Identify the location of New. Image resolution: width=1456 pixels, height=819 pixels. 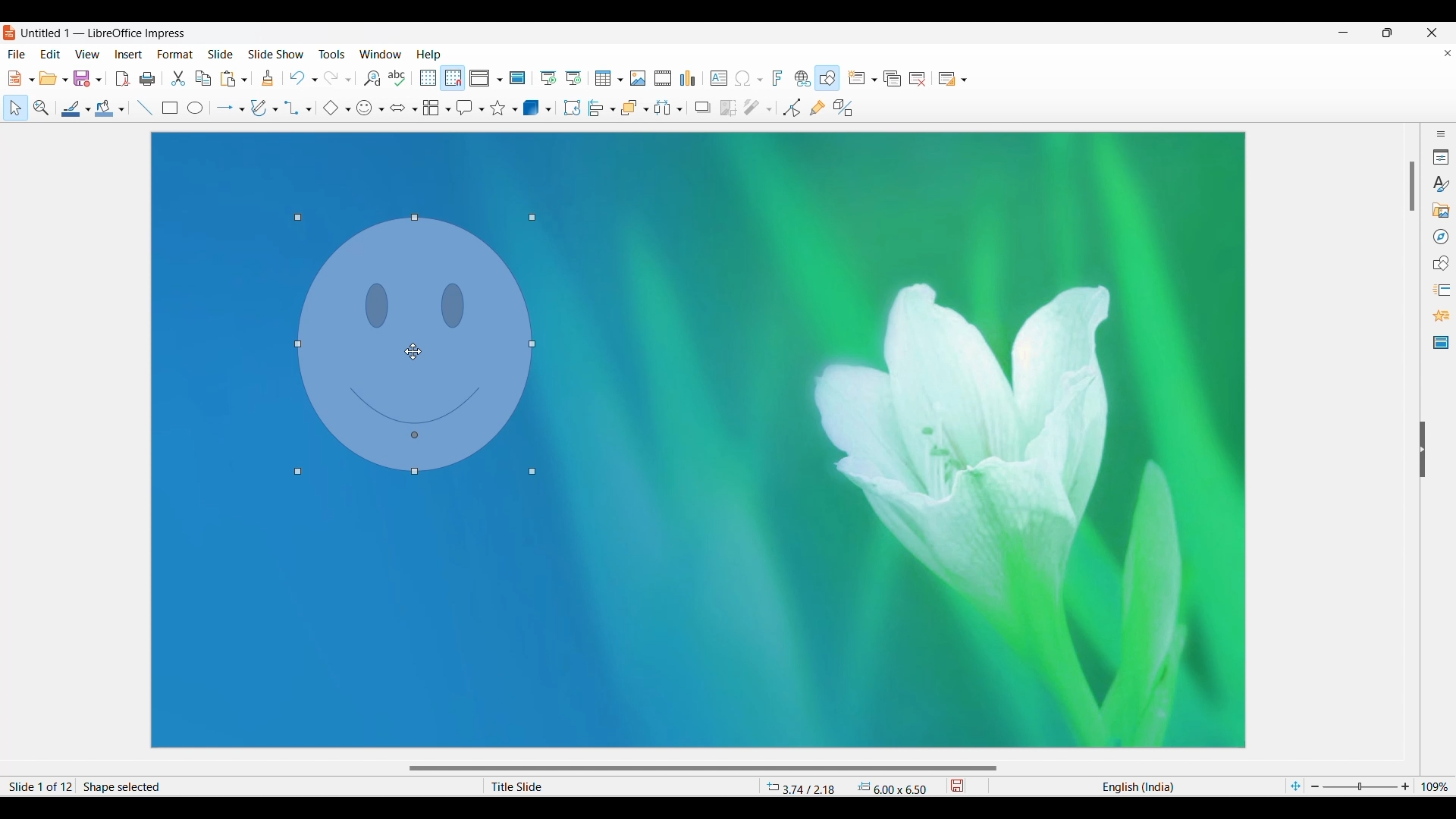
(14, 78).